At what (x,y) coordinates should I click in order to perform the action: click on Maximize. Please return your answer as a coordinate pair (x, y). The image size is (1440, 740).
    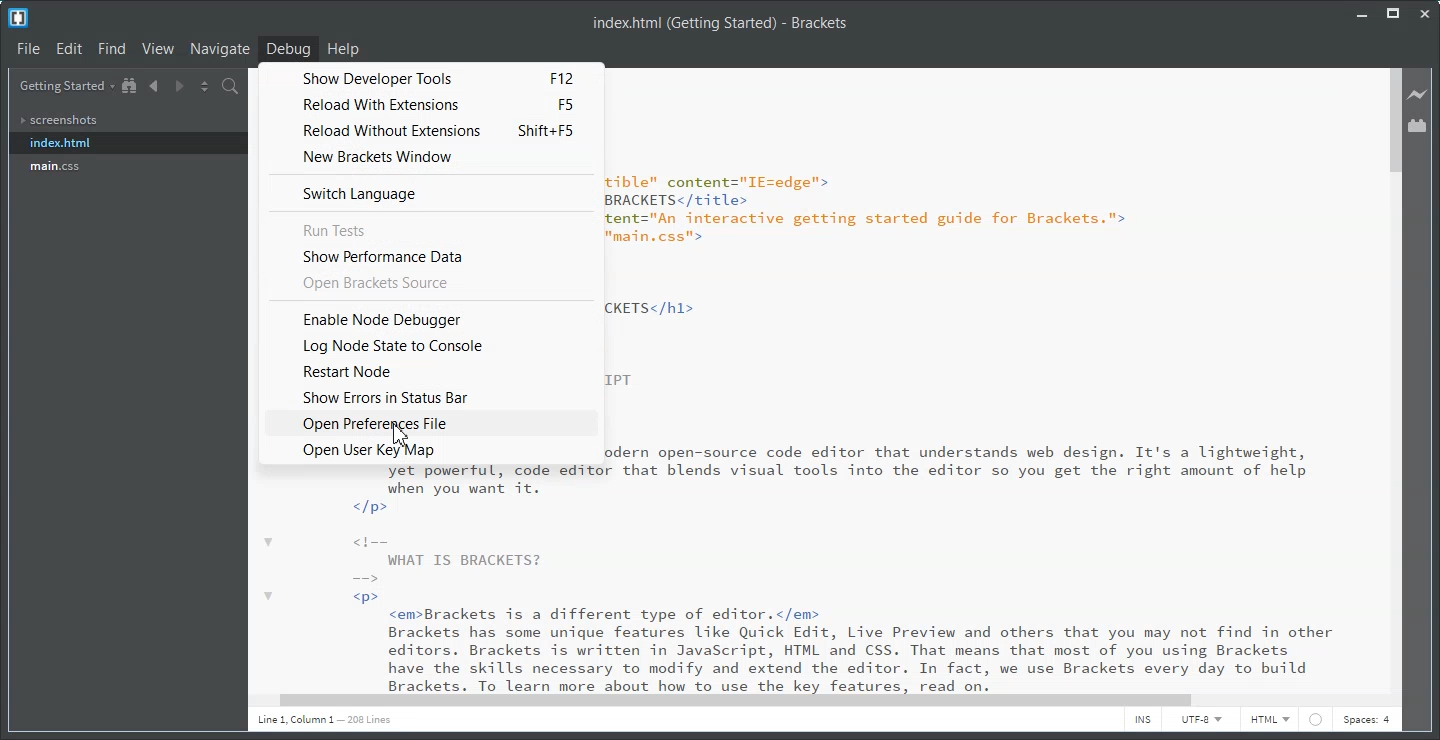
    Looking at the image, I should click on (1393, 13).